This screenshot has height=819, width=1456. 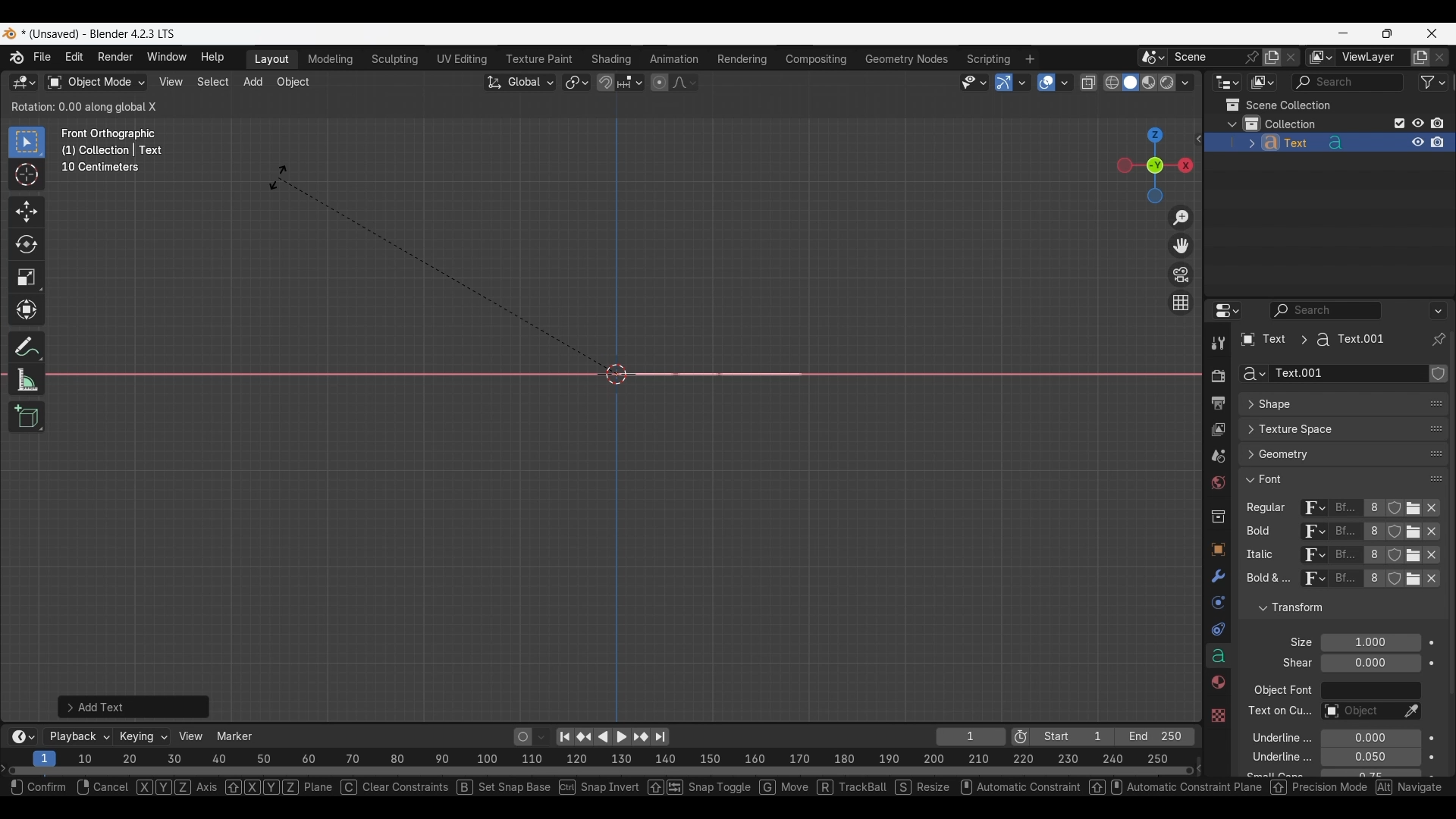 What do you see at coordinates (1200, 767) in the screenshot?
I see `Decrease frames space` at bounding box center [1200, 767].